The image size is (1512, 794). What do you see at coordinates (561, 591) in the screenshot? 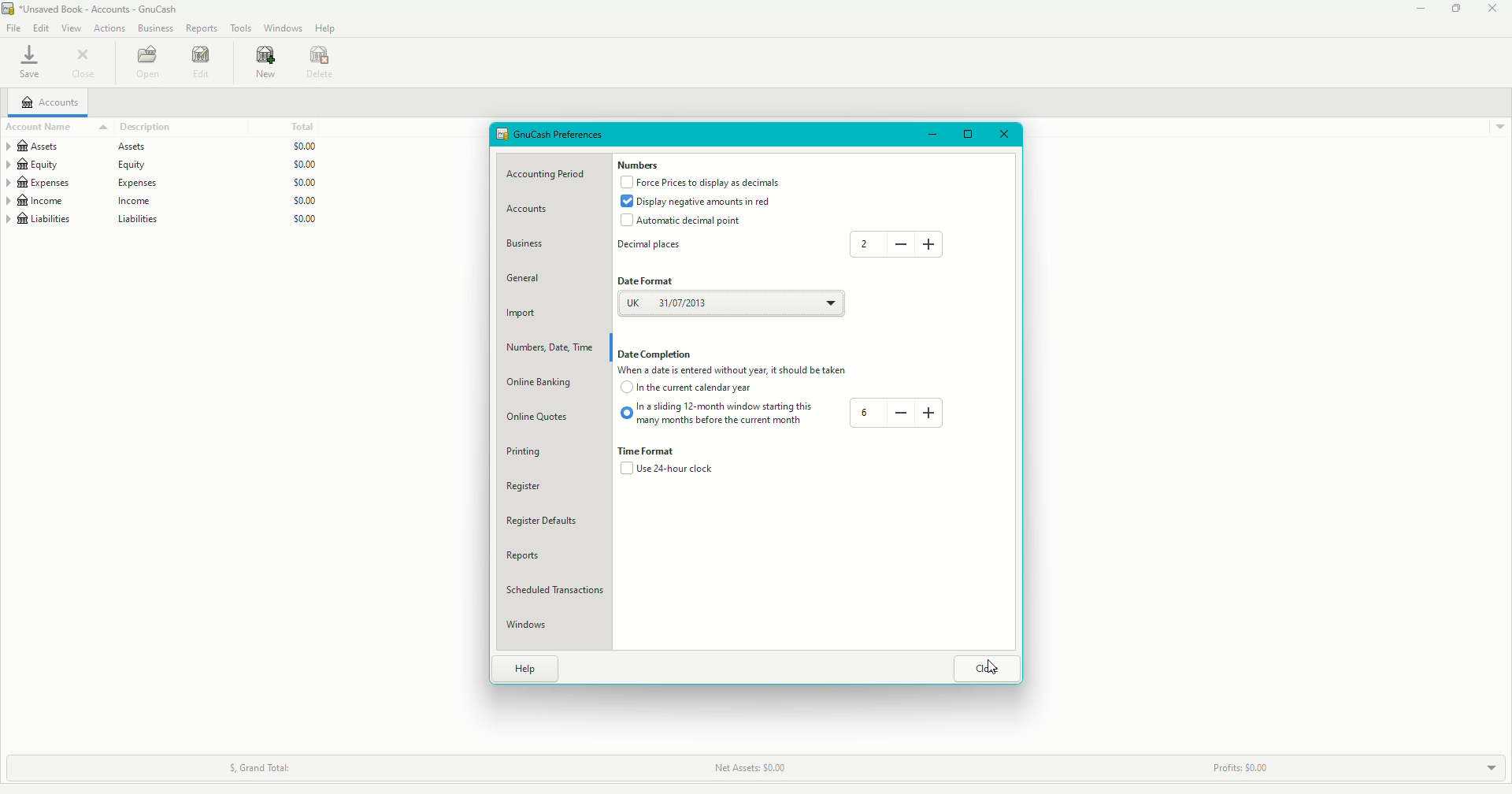
I see `Scheduled Transactions` at bounding box center [561, 591].